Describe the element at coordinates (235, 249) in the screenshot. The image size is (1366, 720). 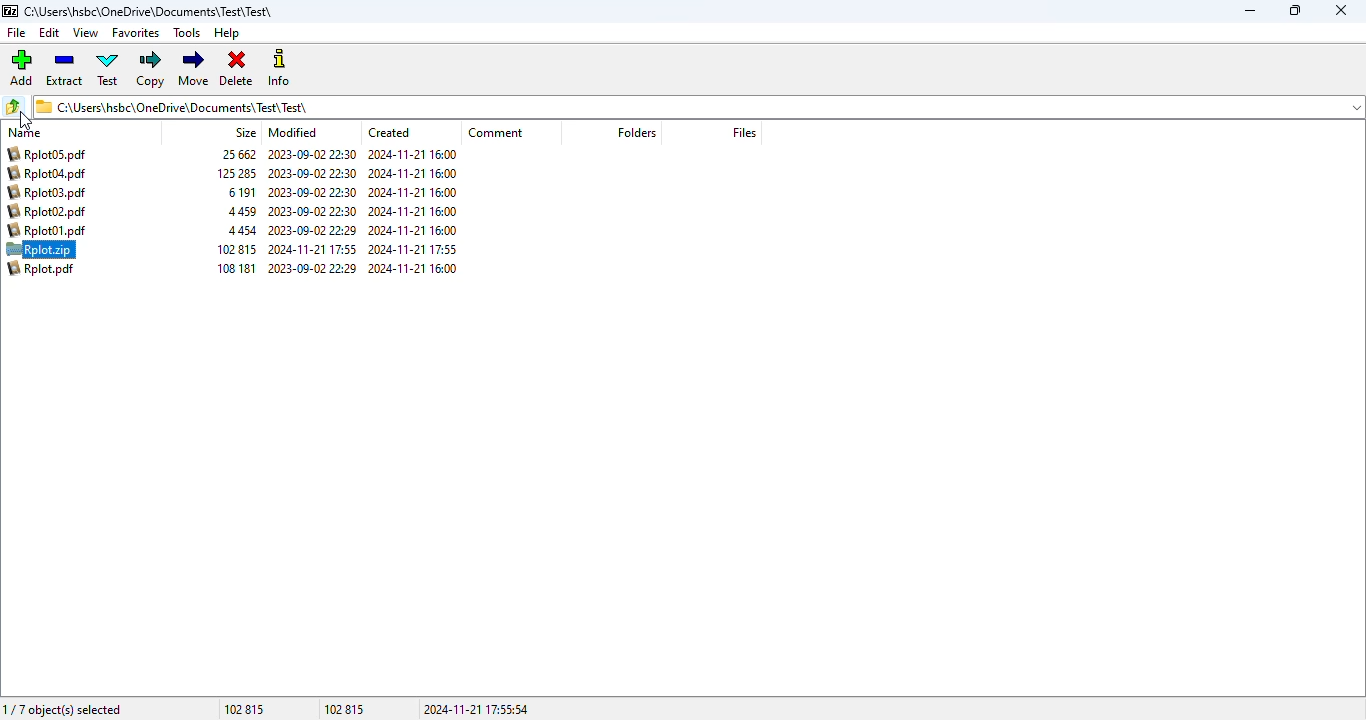
I see `102 815` at that location.